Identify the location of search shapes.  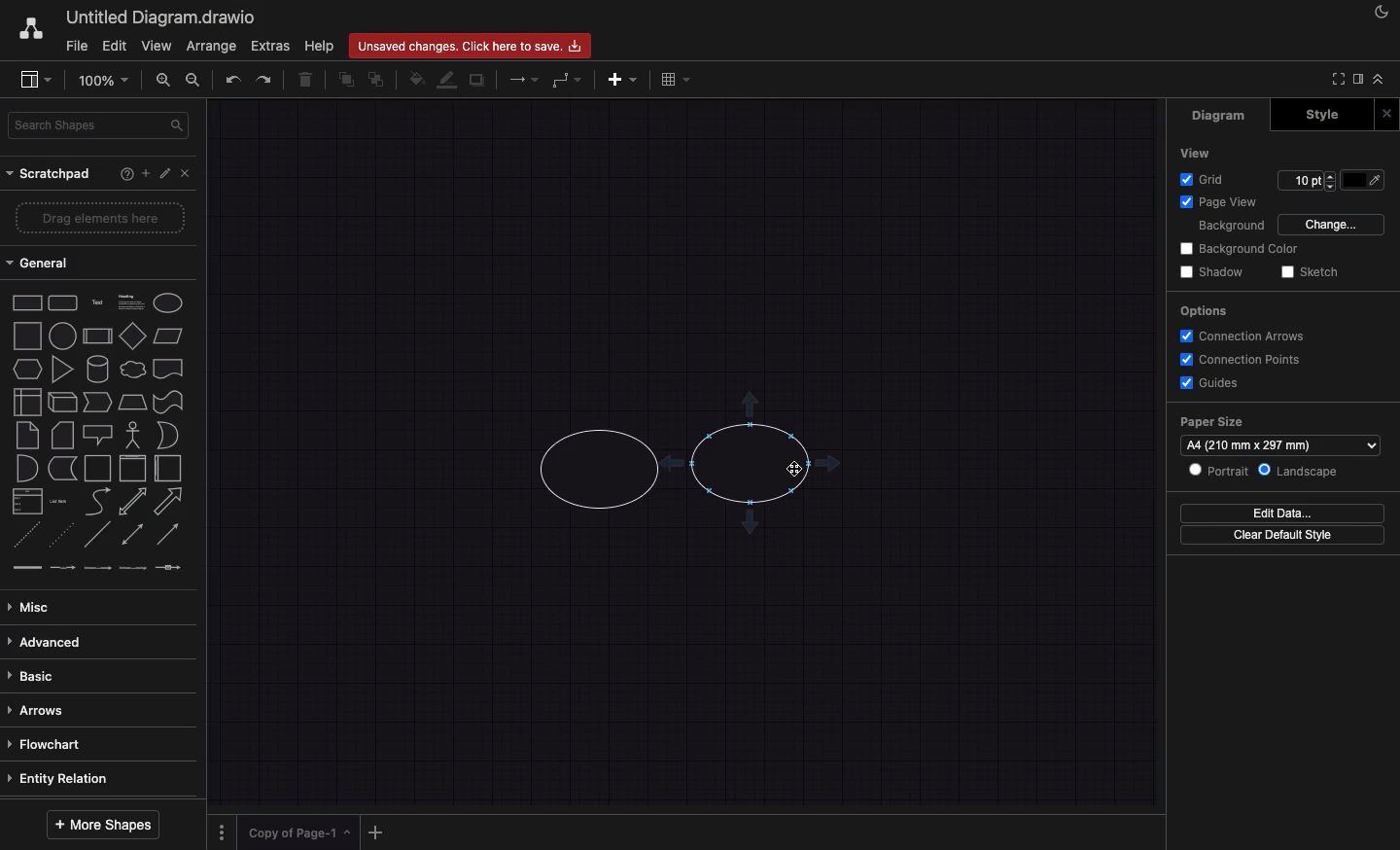
(99, 127).